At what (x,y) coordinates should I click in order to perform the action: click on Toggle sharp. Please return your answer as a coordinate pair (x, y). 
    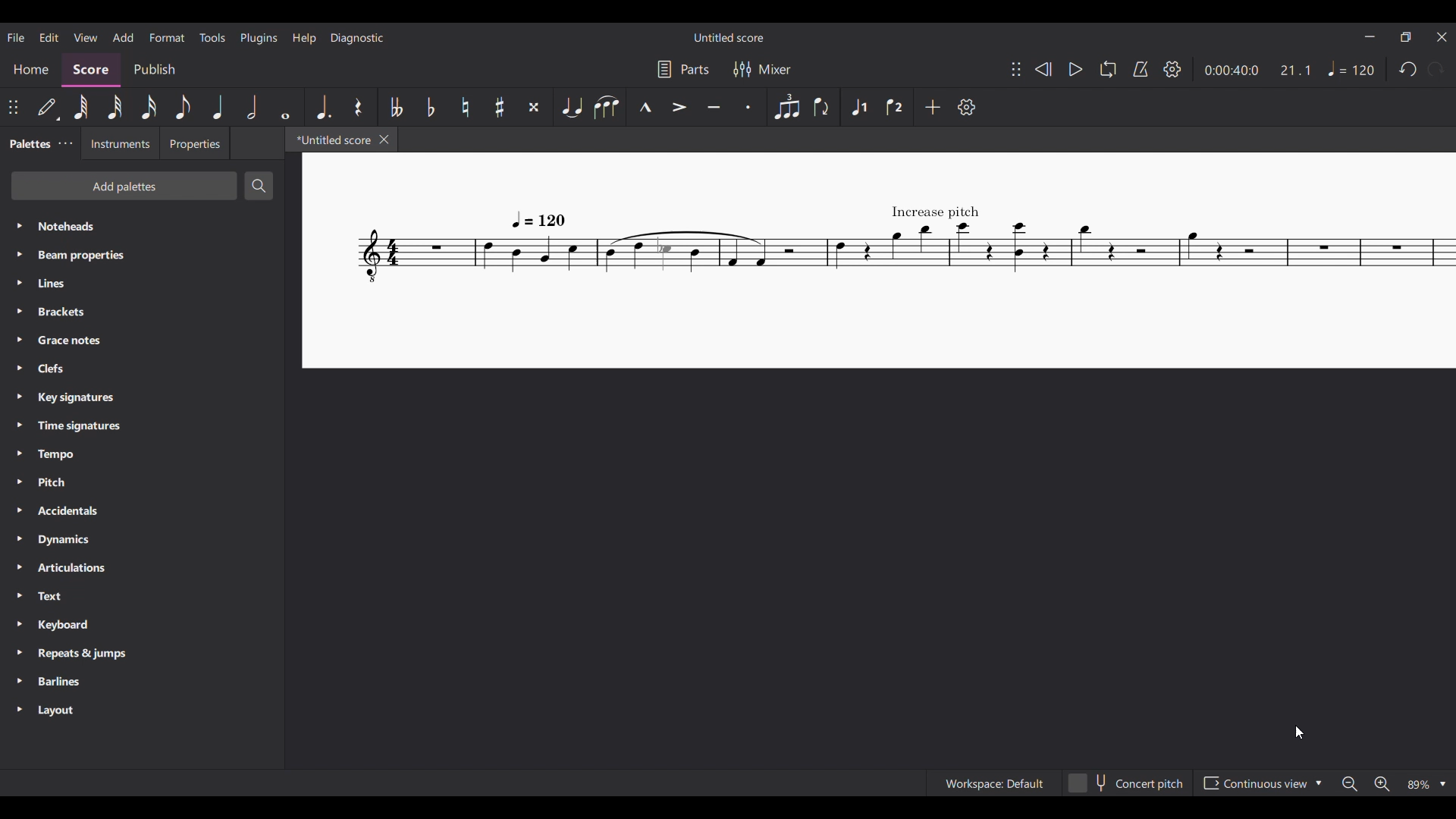
    Looking at the image, I should click on (499, 107).